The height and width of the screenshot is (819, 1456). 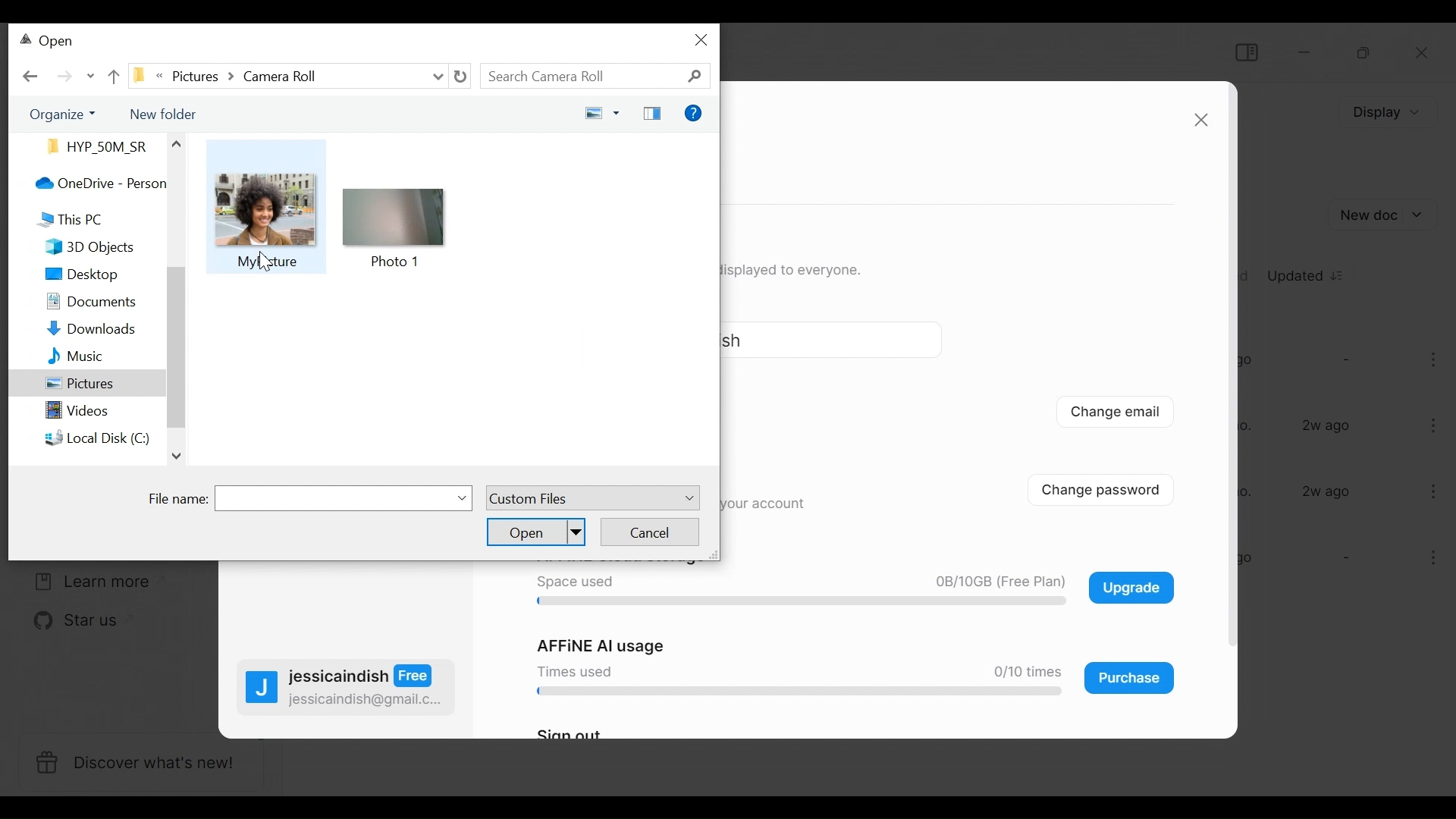 I want to click on Add New document, so click(x=1385, y=215).